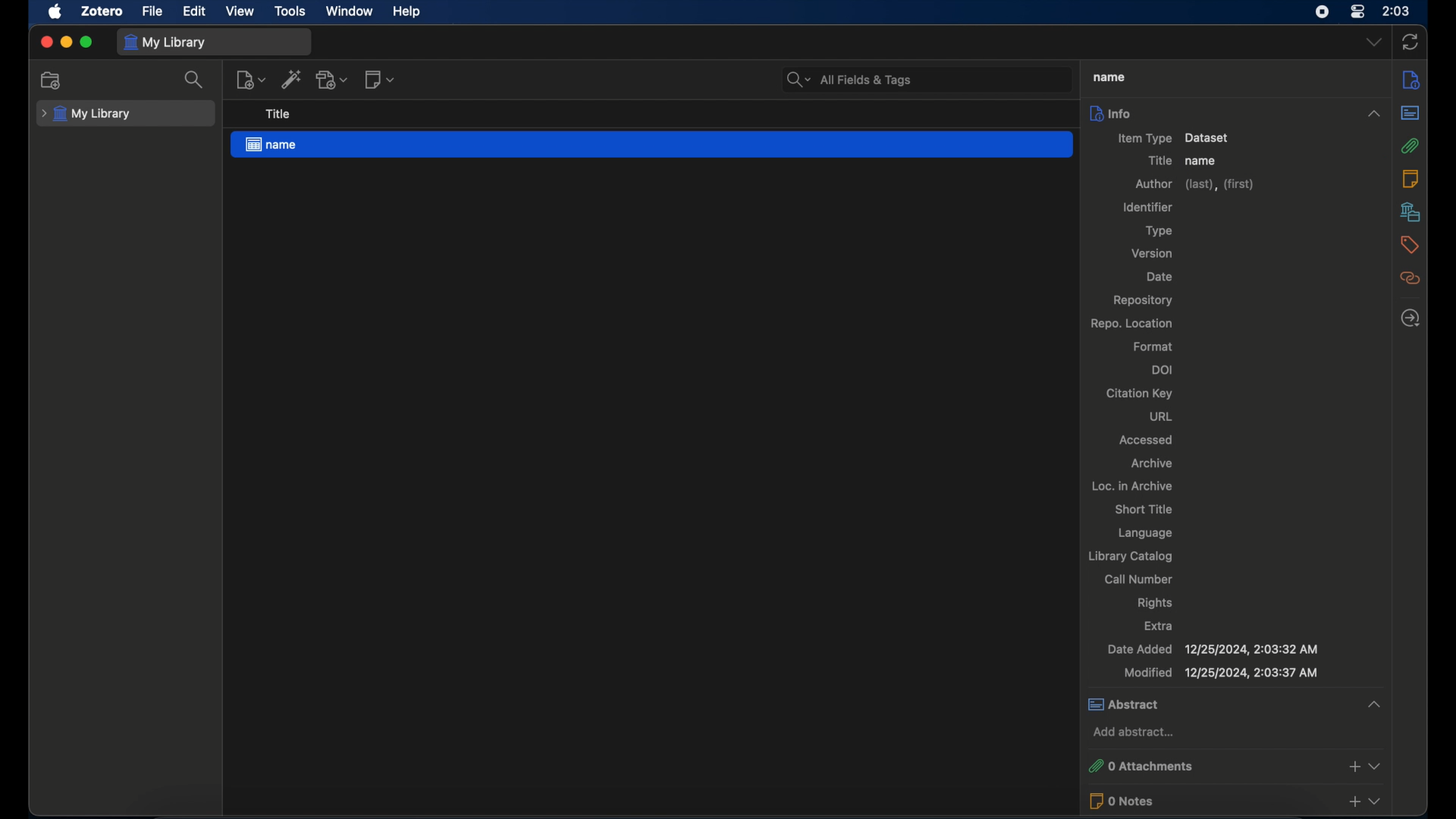 The height and width of the screenshot is (819, 1456). What do you see at coordinates (651, 145) in the screenshot?
I see `name` at bounding box center [651, 145].